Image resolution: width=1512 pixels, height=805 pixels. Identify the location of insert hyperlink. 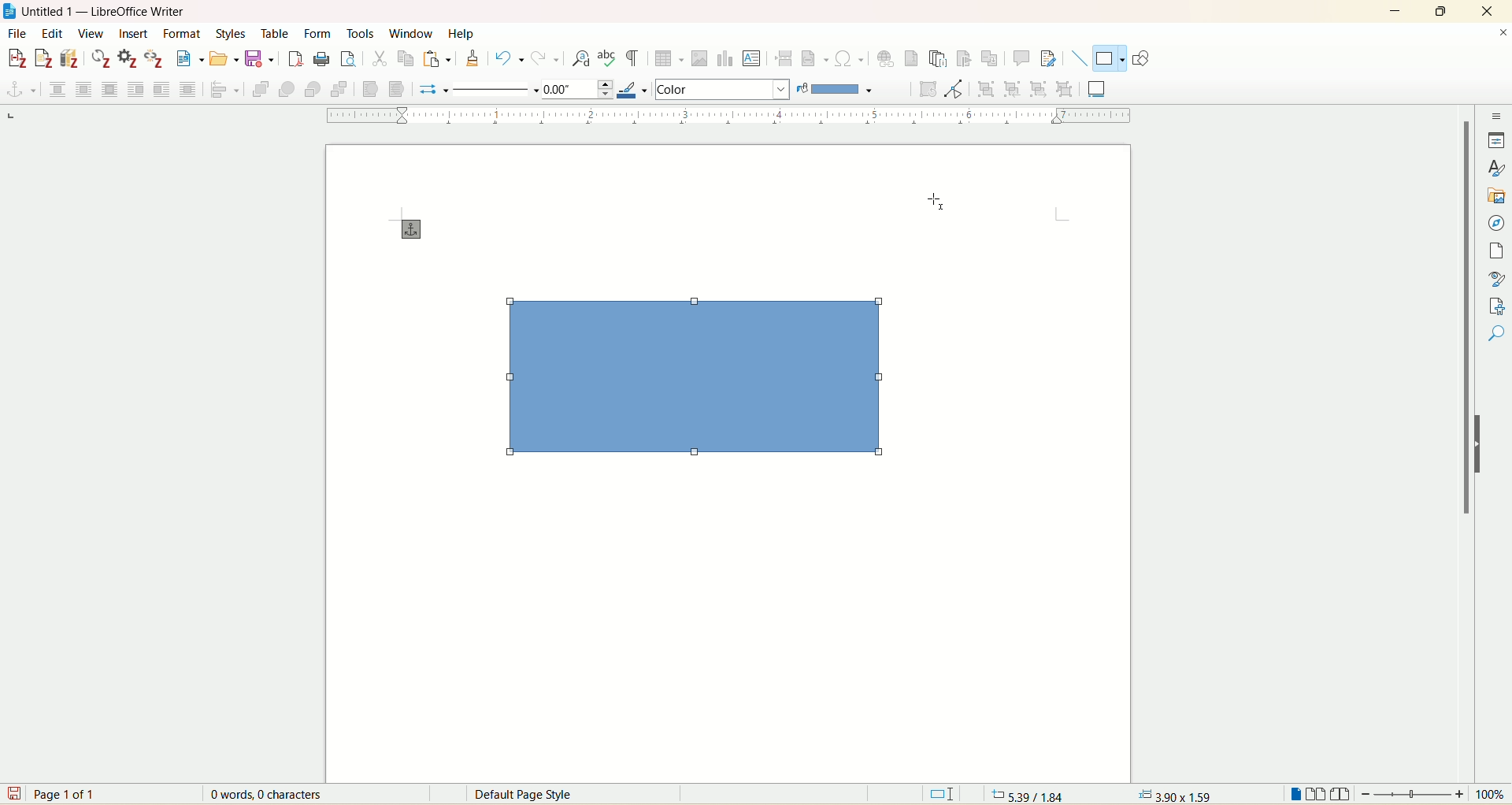
(887, 57).